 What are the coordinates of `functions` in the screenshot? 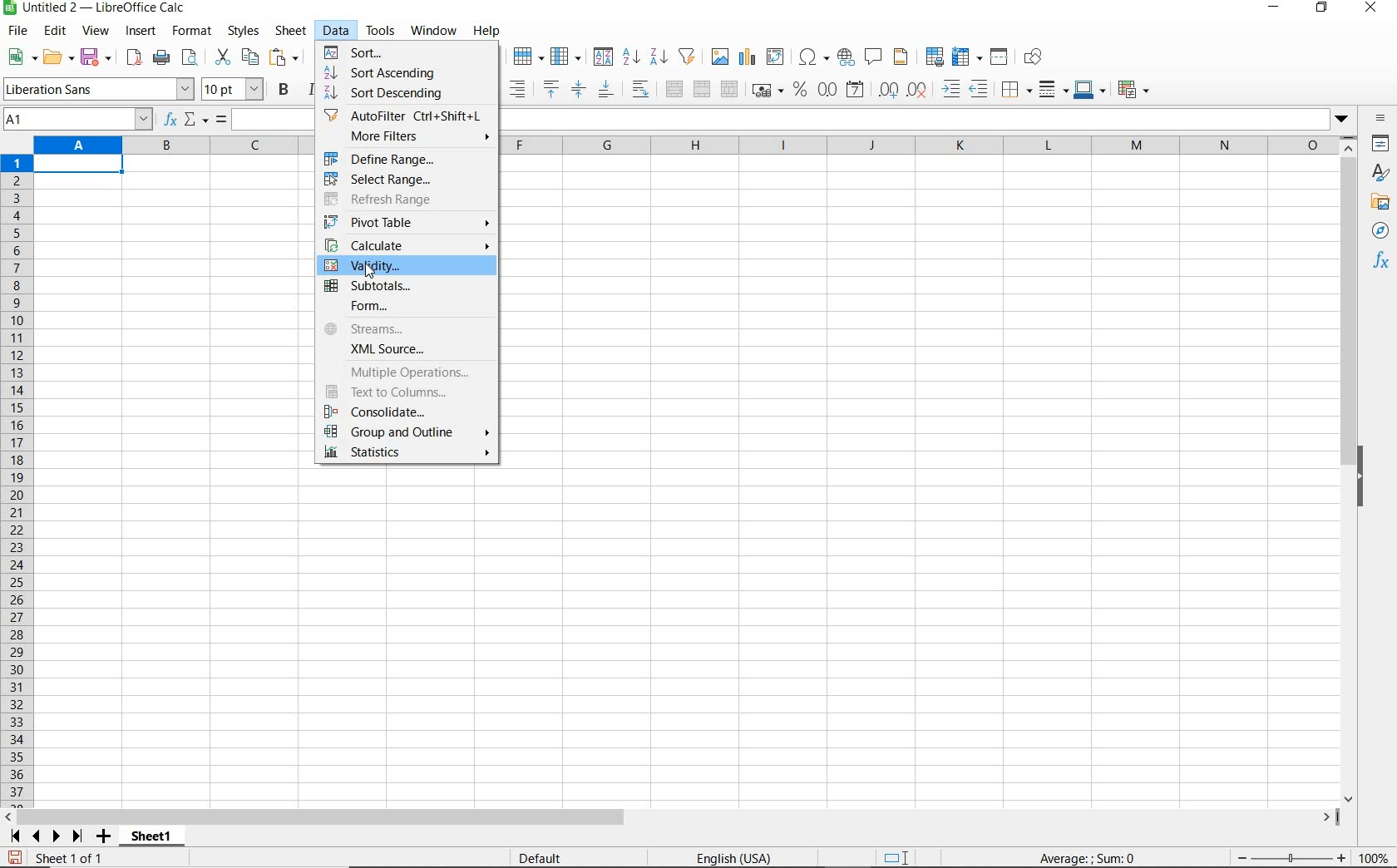 It's located at (1384, 262).